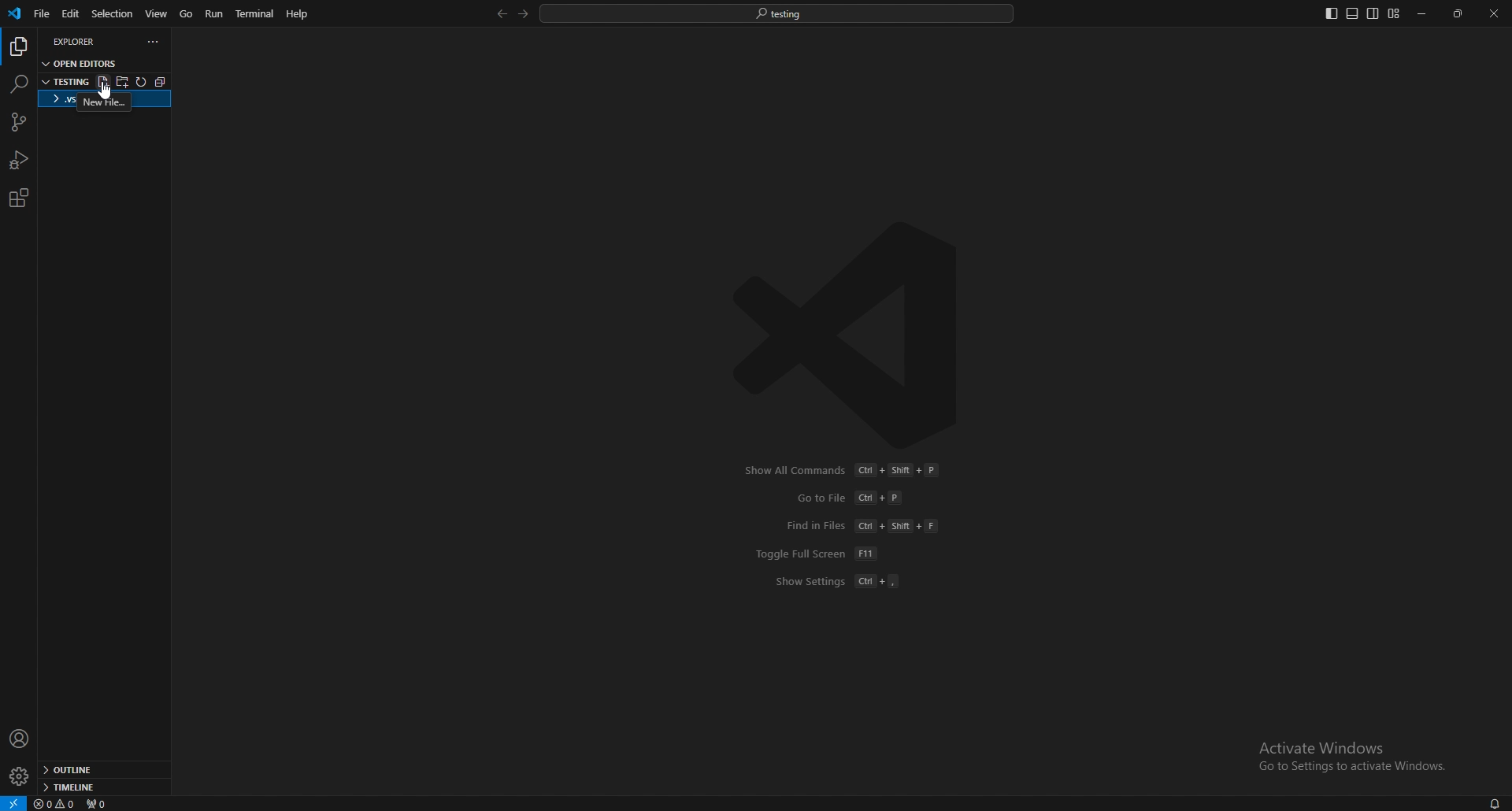 This screenshot has height=811, width=1512. I want to click on resize, so click(1459, 14).